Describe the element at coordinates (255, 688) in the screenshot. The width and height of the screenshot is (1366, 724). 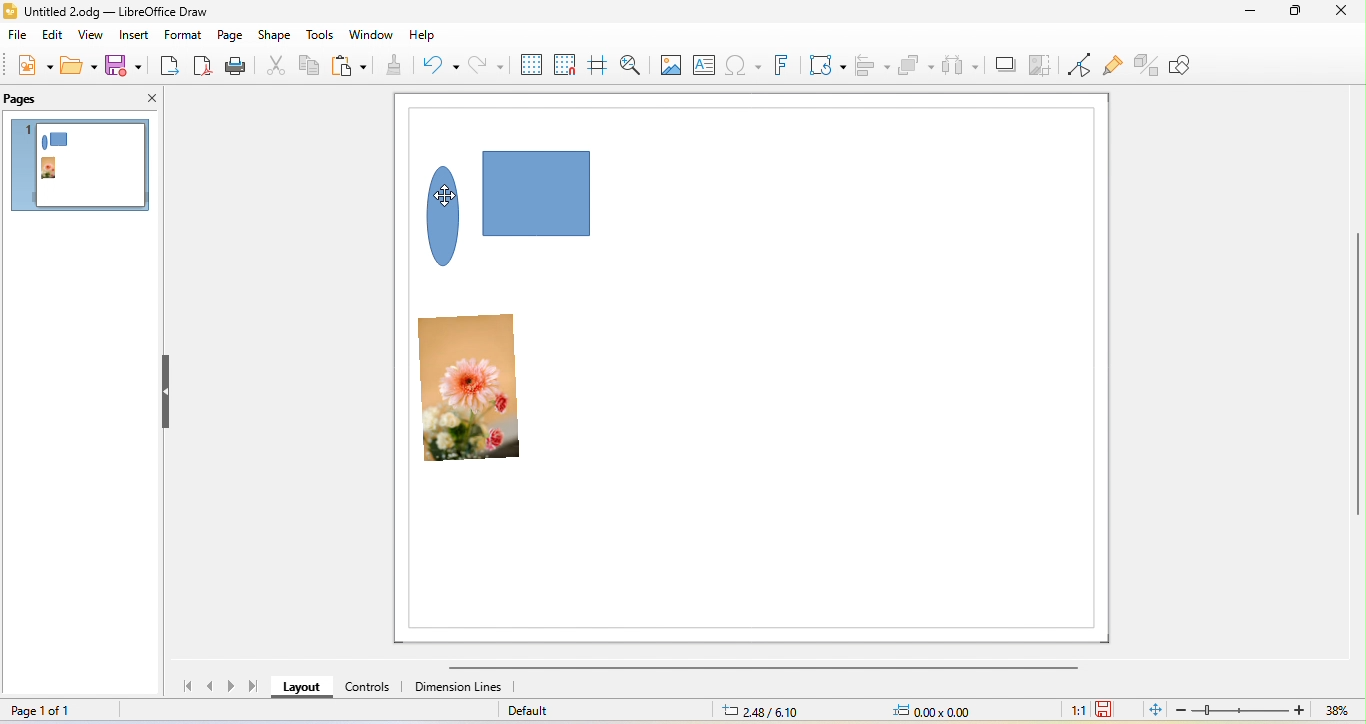
I see `last page` at that location.